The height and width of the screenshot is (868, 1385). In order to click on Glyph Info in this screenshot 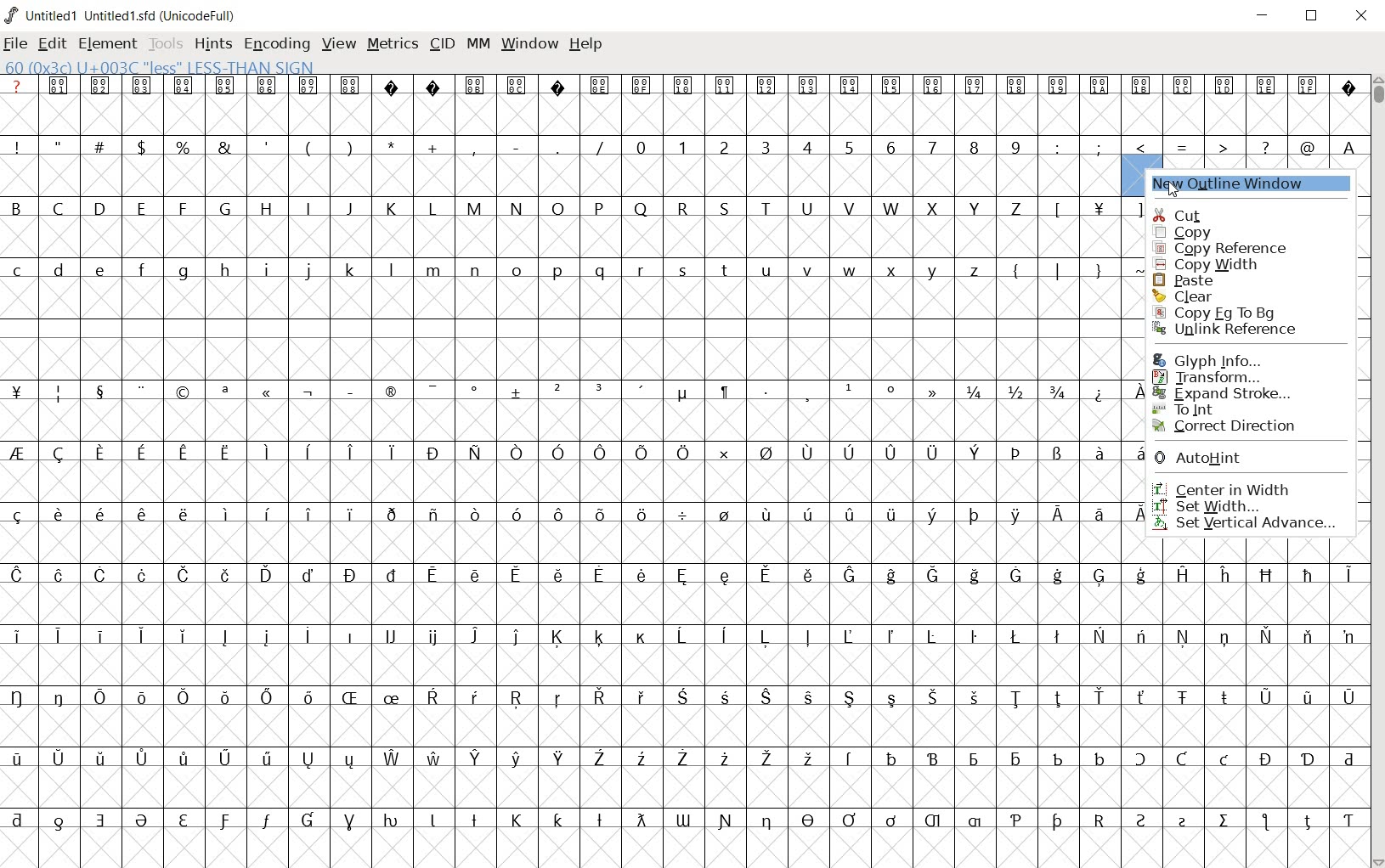, I will do `click(1206, 359)`.